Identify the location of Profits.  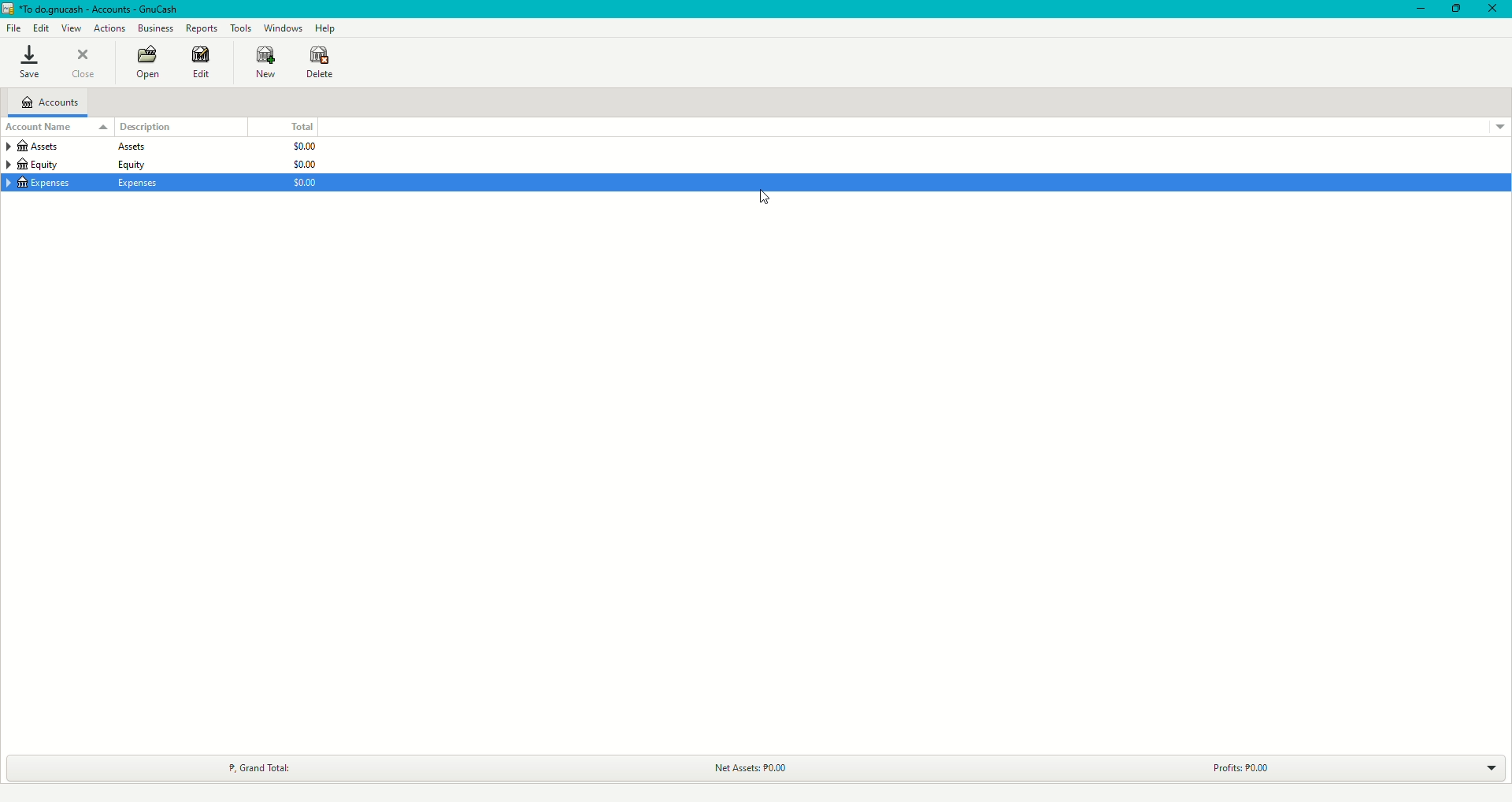
(1236, 769).